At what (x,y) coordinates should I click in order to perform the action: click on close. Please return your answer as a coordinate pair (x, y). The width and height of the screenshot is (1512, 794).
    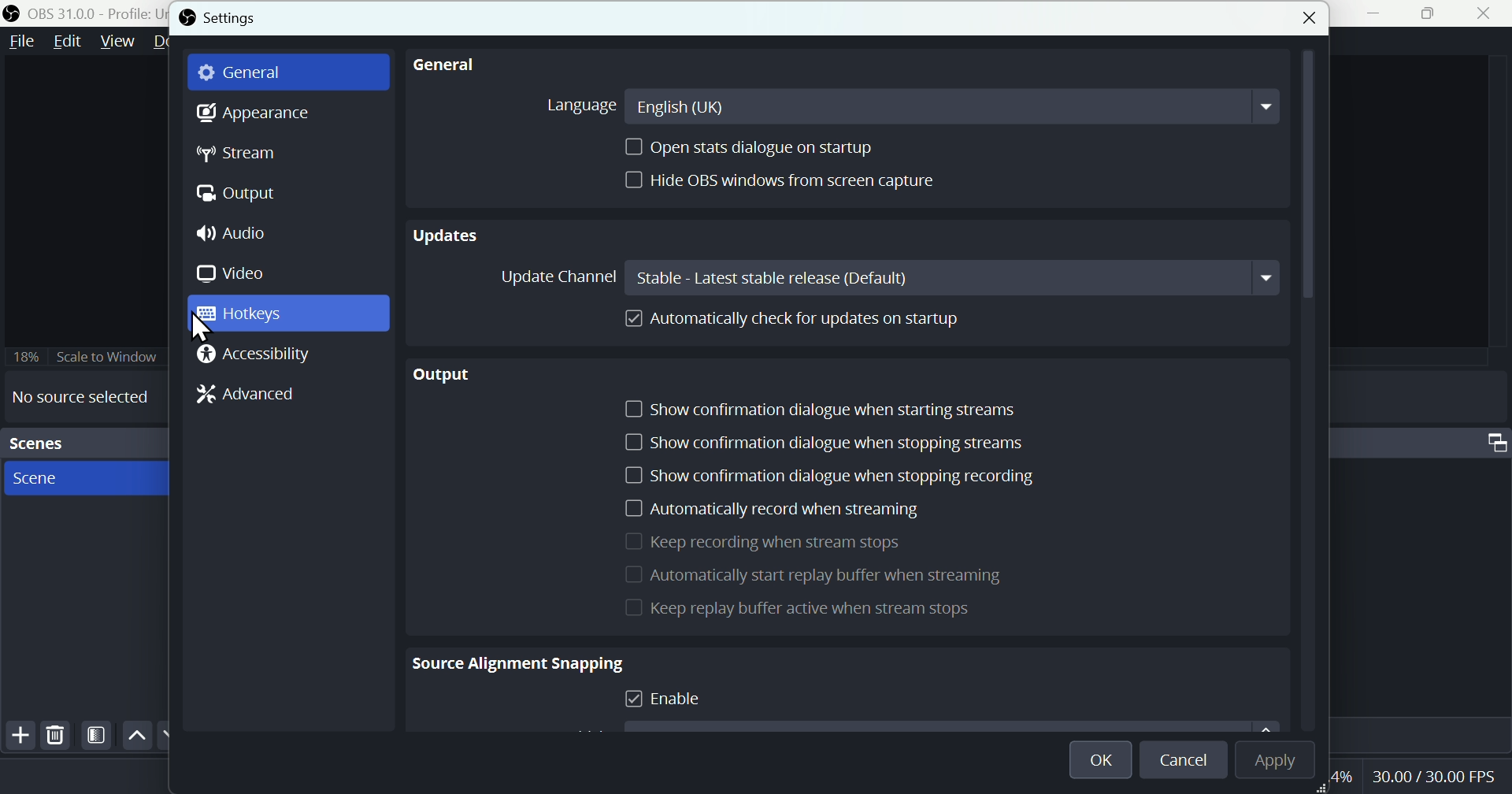
    Looking at the image, I should click on (1306, 17).